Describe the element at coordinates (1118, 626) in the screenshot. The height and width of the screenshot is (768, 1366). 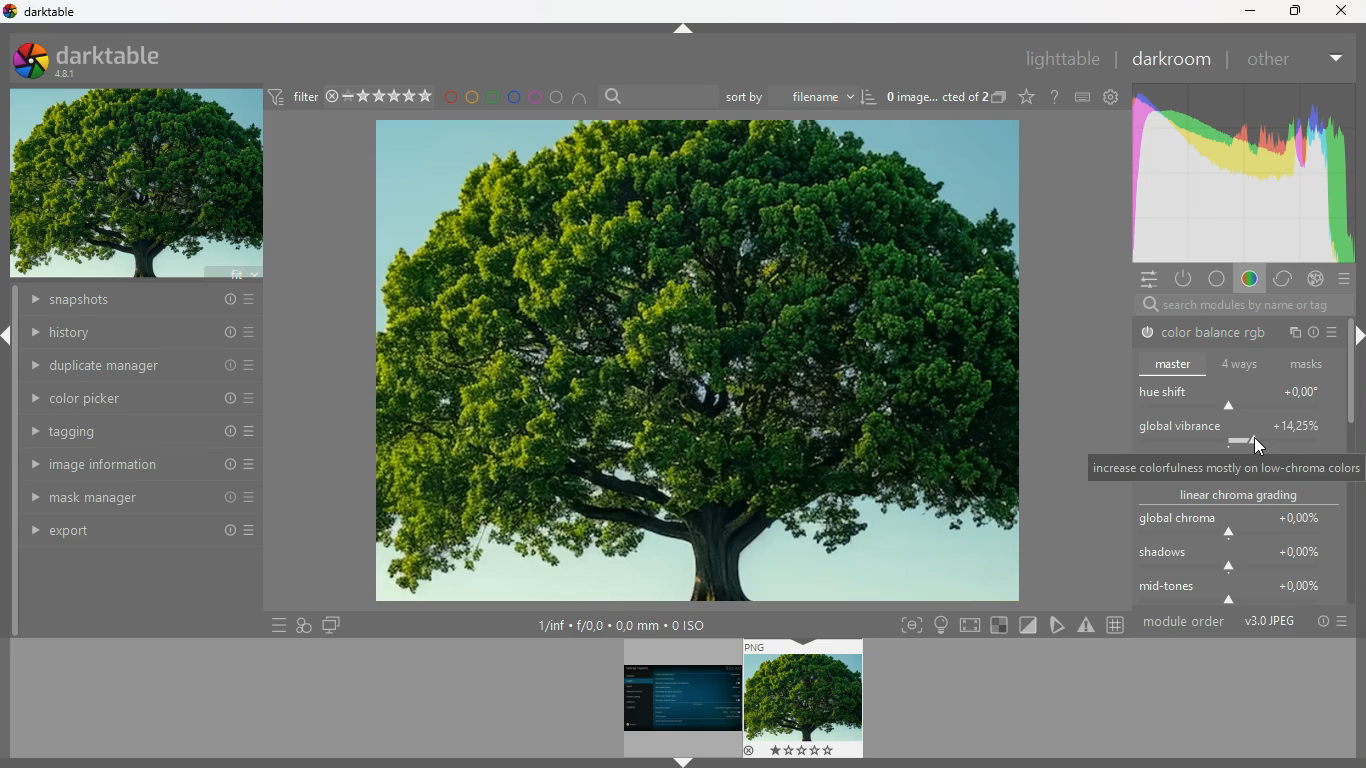
I see `#` at that location.